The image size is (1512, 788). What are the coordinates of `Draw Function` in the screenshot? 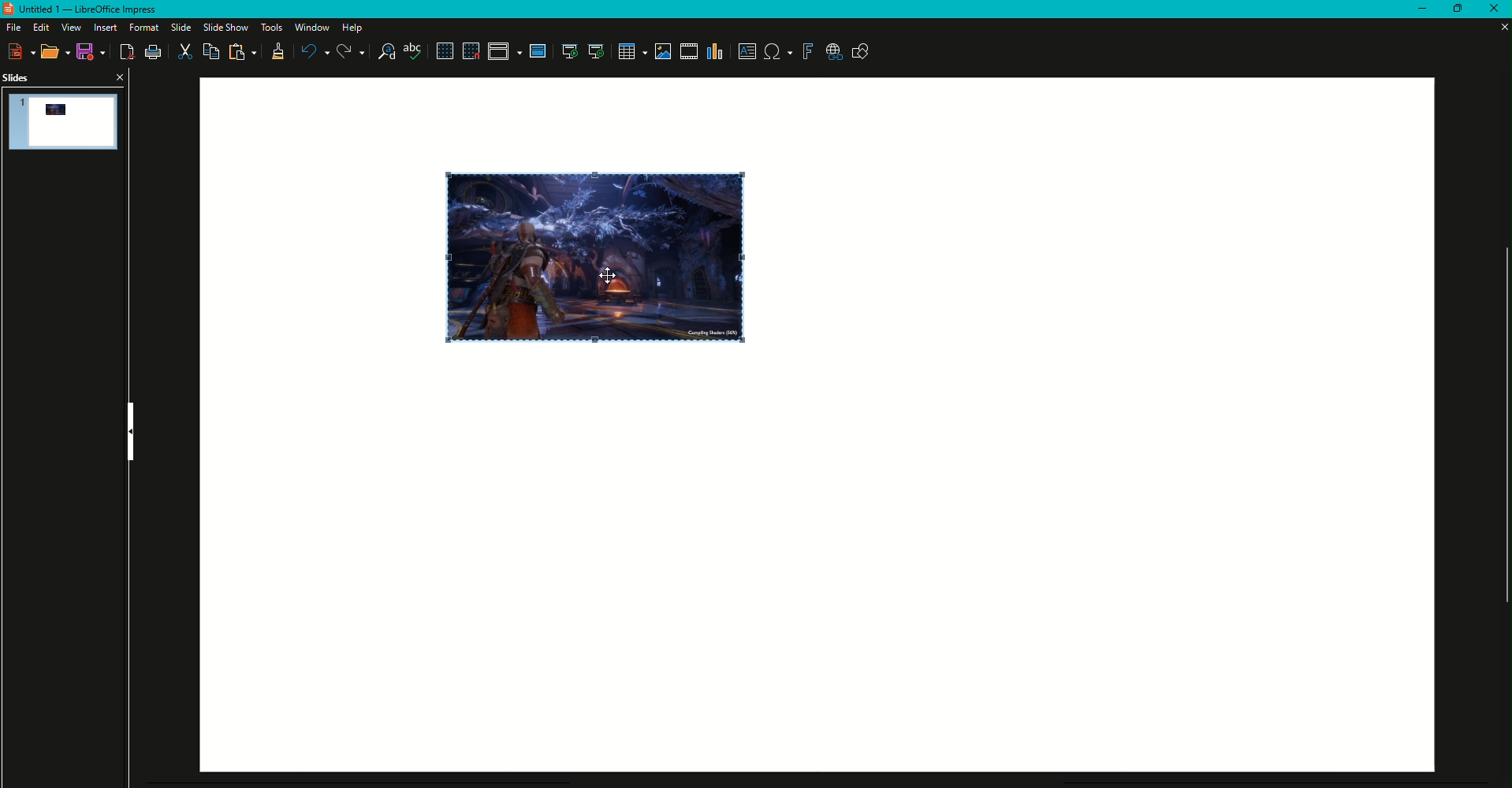 It's located at (861, 53).